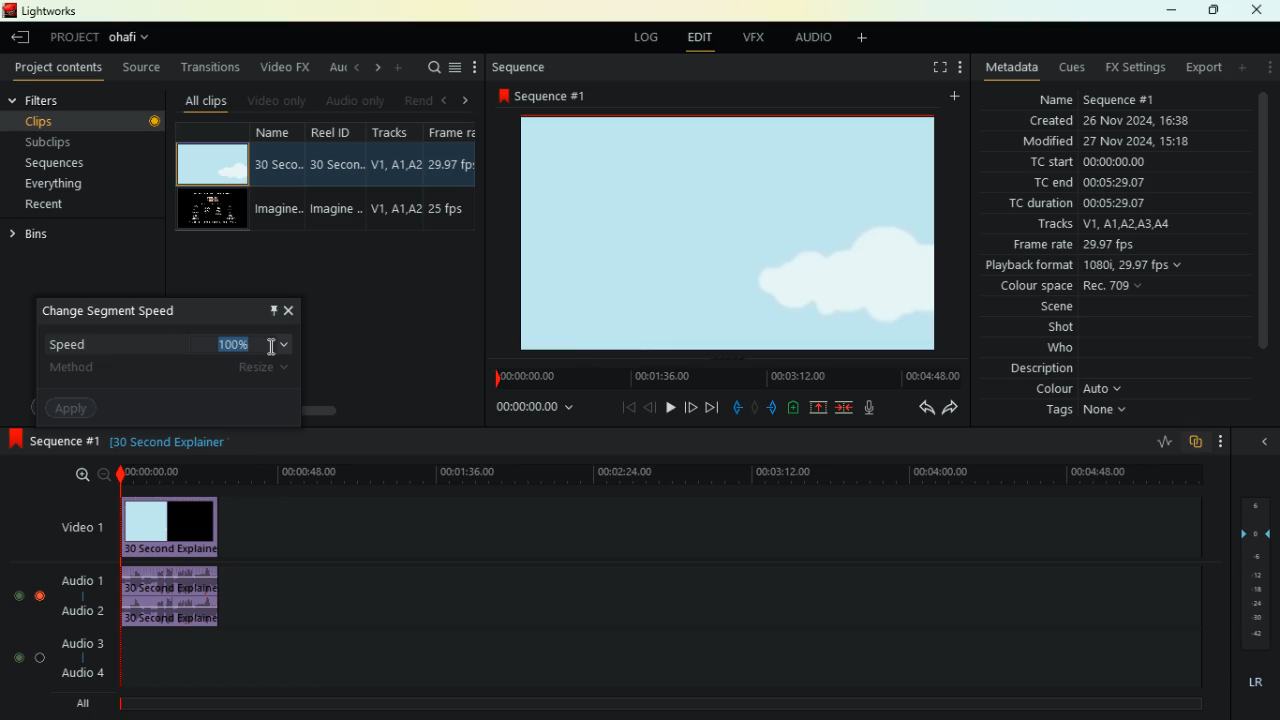 This screenshot has width=1280, height=720. I want to click on hold, so click(754, 406).